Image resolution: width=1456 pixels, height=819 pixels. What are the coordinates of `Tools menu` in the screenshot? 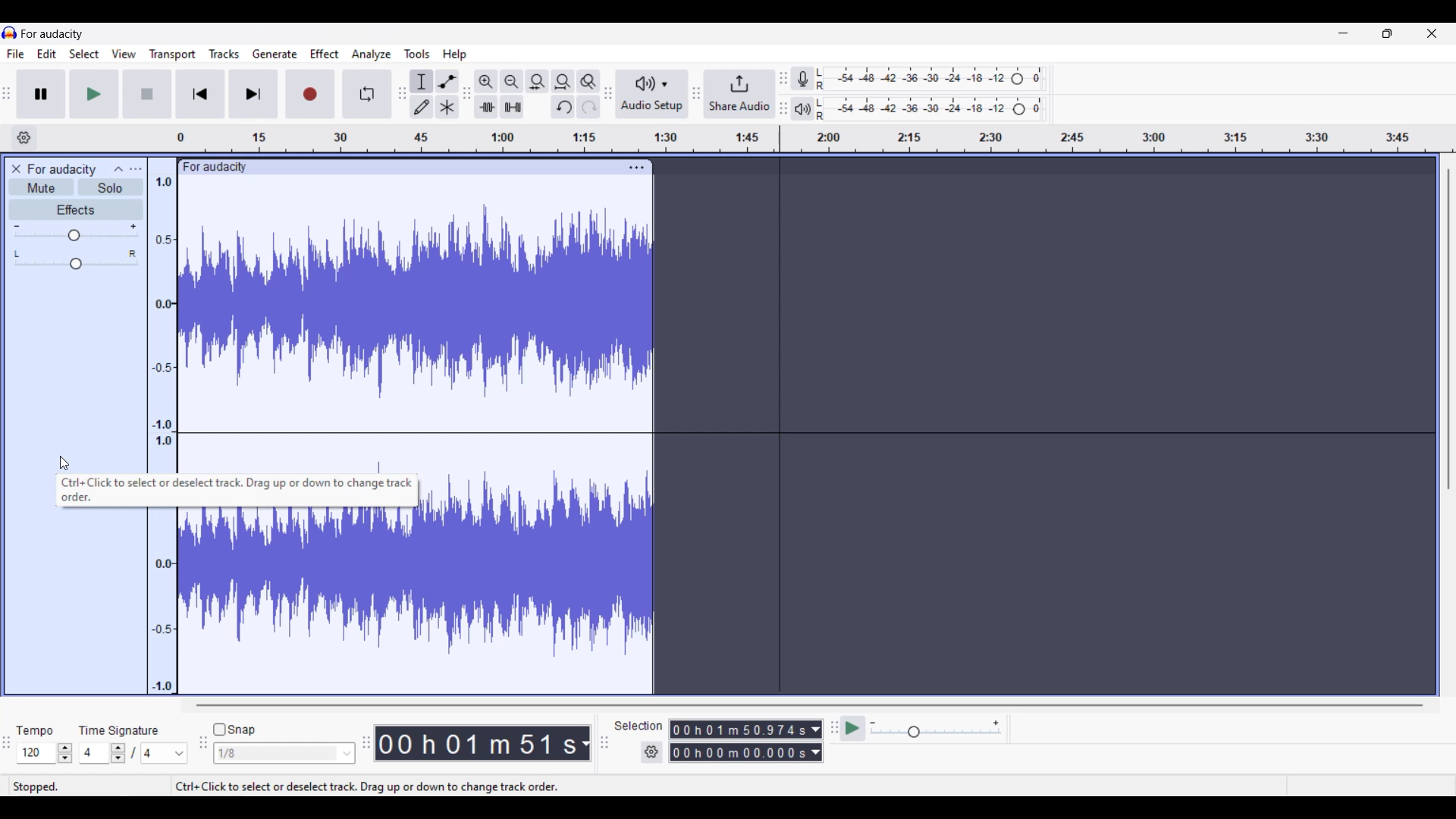 It's located at (418, 54).